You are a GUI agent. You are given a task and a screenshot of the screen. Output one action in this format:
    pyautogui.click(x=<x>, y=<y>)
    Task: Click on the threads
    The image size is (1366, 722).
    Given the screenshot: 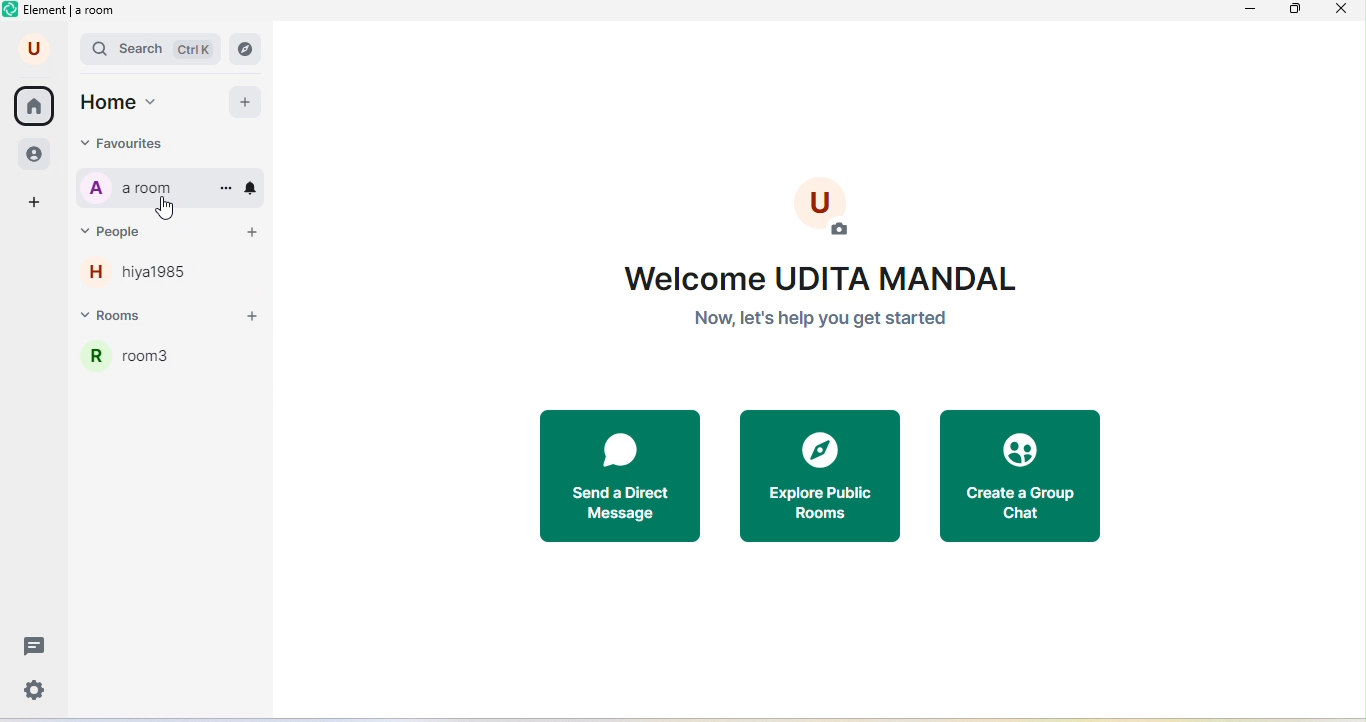 What is the action you would take?
    pyautogui.click(x=37, y=647)
    